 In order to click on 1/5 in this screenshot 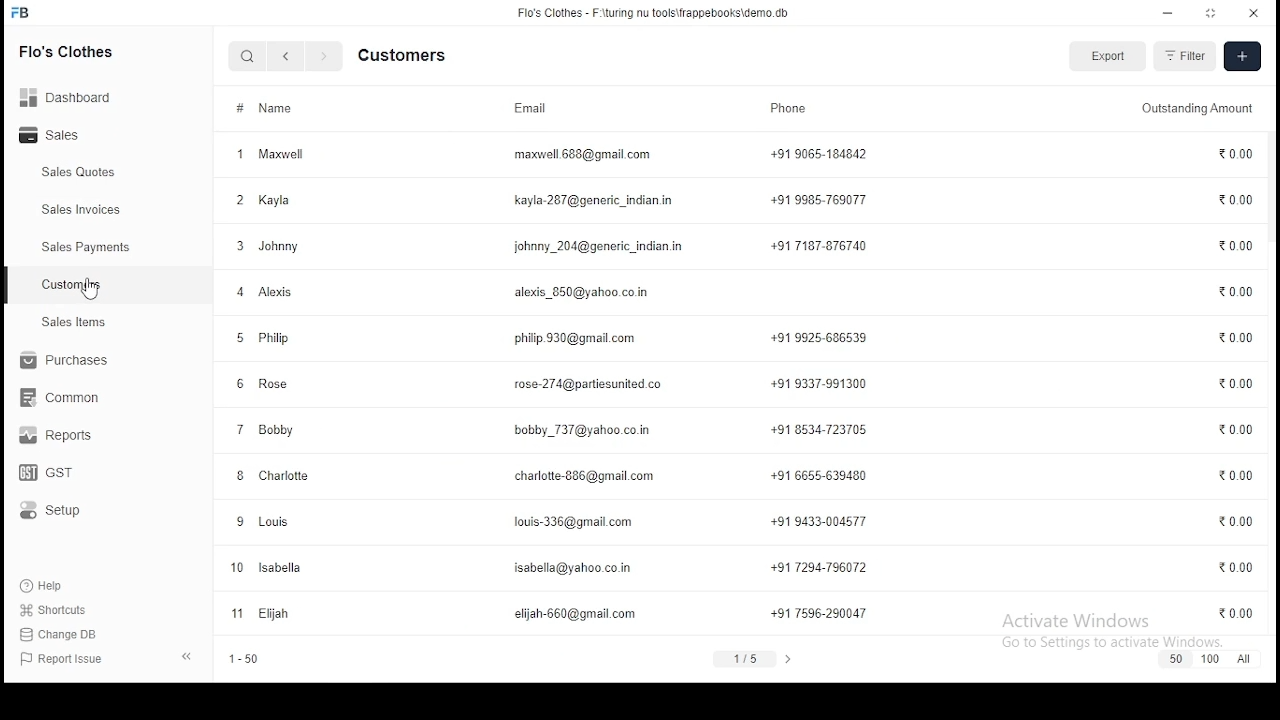, I will do `click(759, 658)`.